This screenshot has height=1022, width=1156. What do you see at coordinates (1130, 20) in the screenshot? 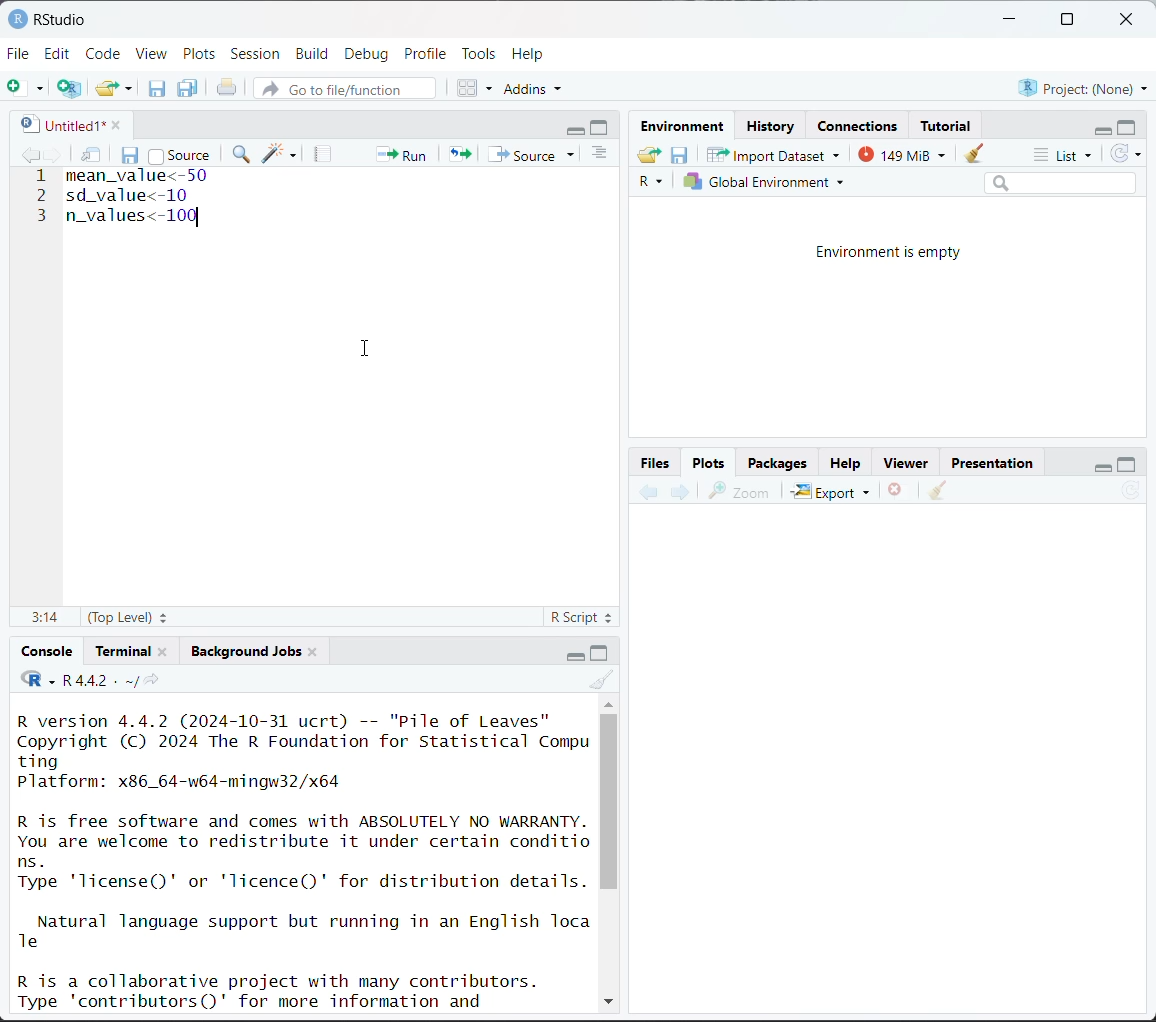
I see `close` at bounding box center [1130, 20].